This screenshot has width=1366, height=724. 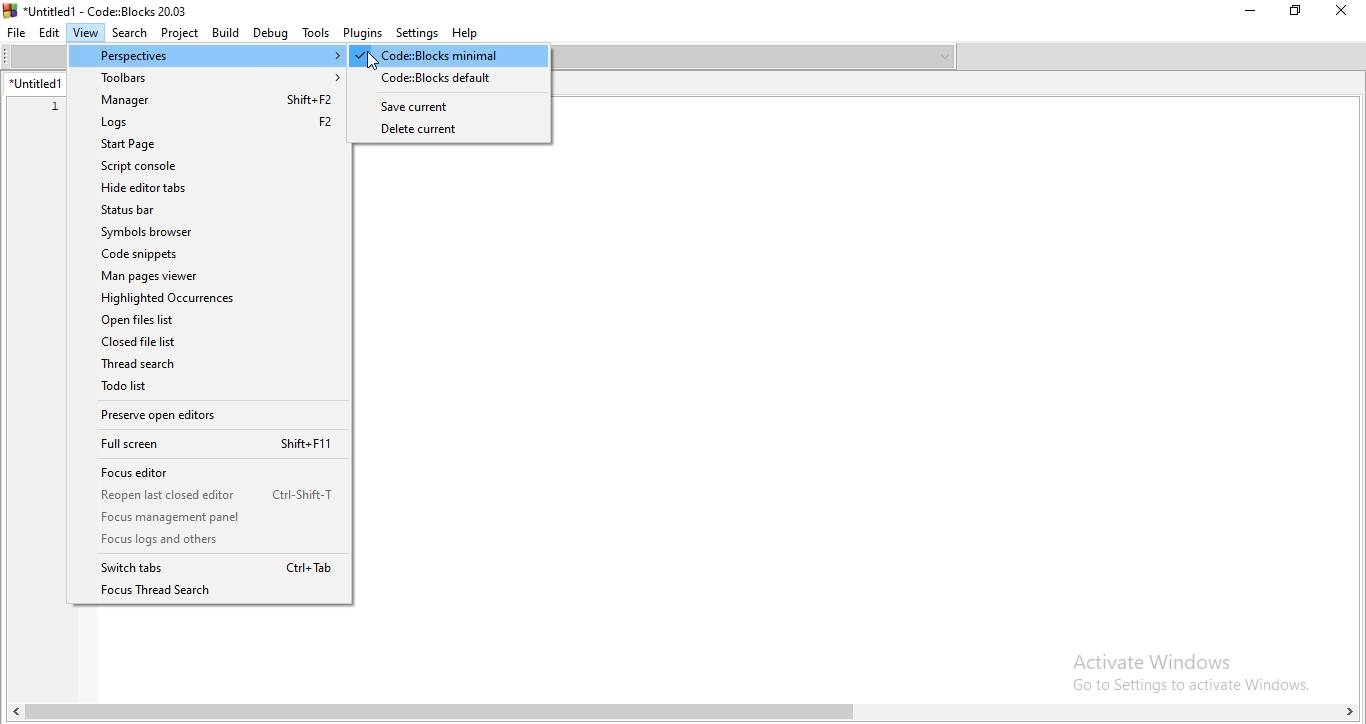 What do you see at coordinates (212, 165) in the screenshot?
I see `Script console` at bounding box center [212, 165].